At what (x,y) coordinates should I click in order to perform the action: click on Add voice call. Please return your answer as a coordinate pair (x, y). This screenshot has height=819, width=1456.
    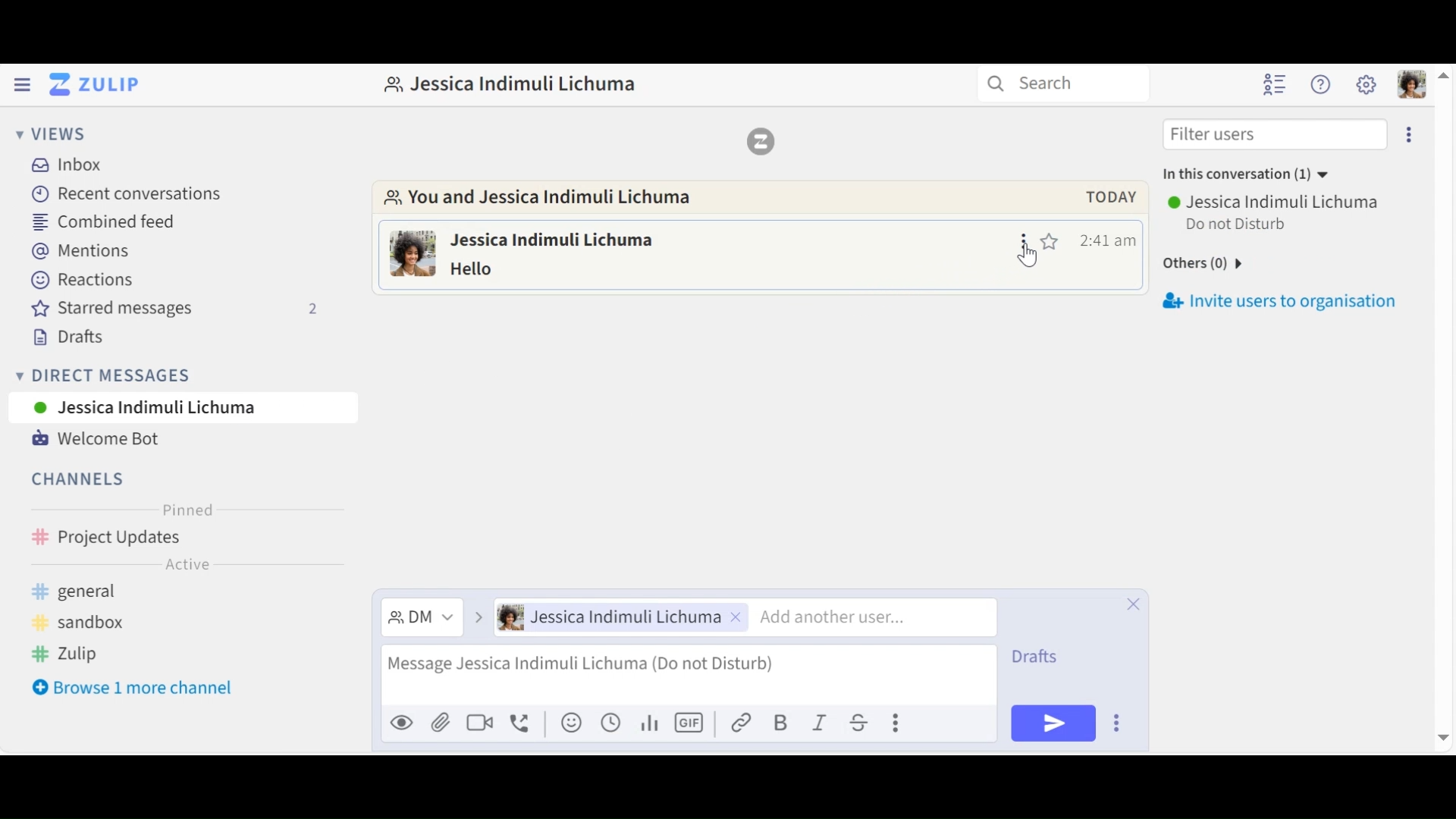
    Looking at the image, I should click on (522, 724).